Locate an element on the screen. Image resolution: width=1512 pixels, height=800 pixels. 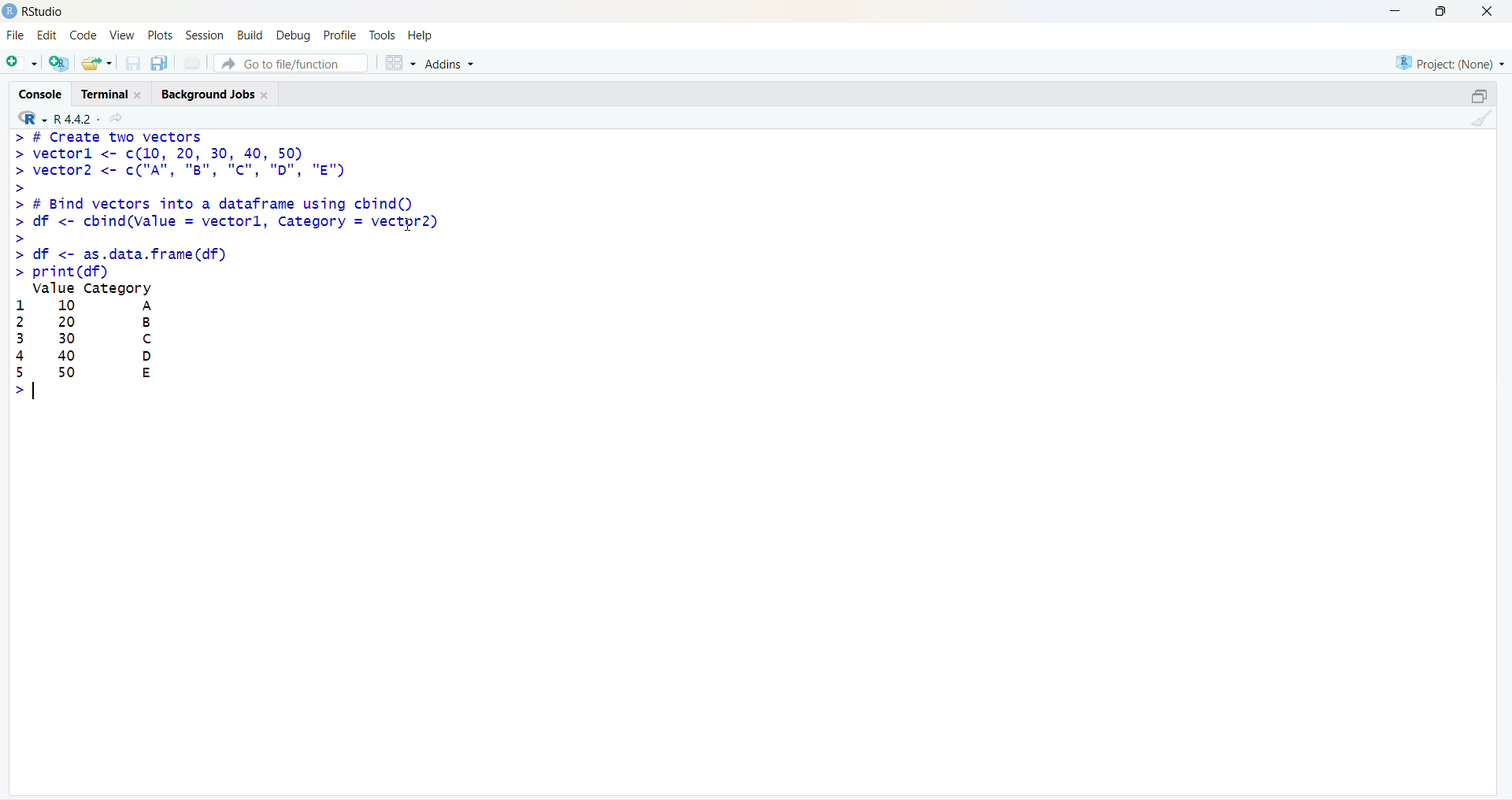
File is located at coordinates (17, 35).